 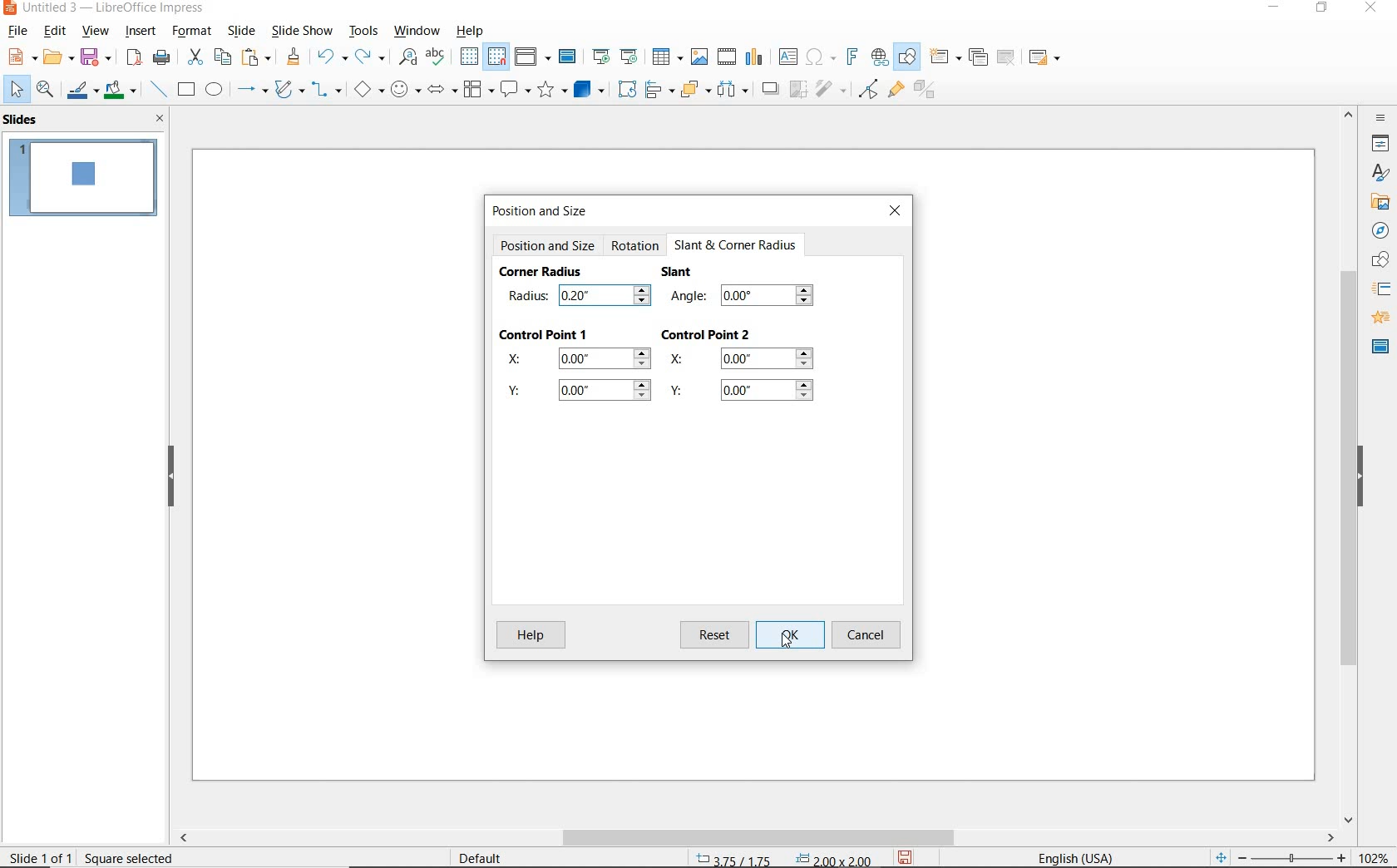 I want to click on new, so click(x=15, y=59).